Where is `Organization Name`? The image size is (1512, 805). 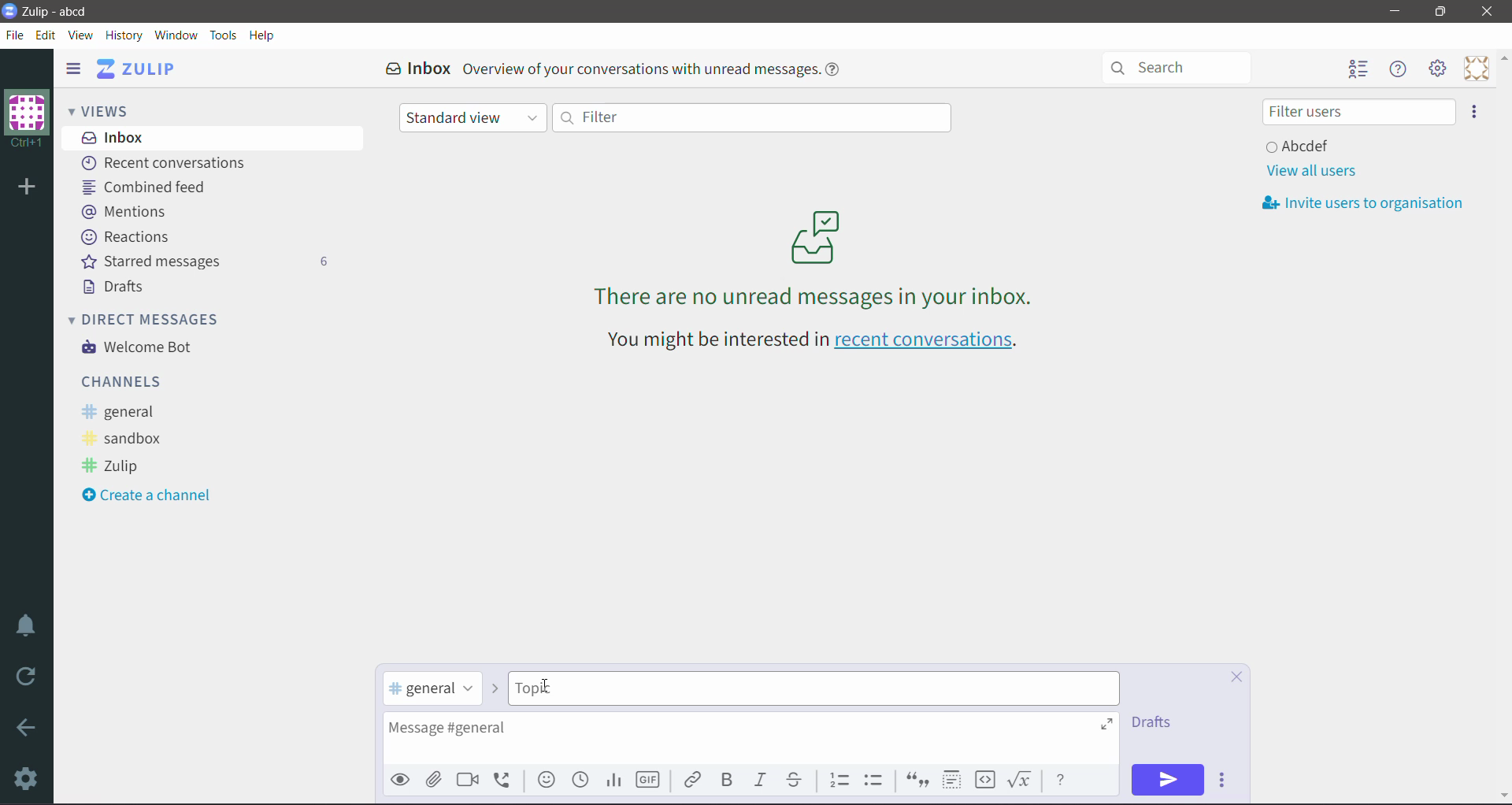 Organization Name is located at coordinates (27, 119).